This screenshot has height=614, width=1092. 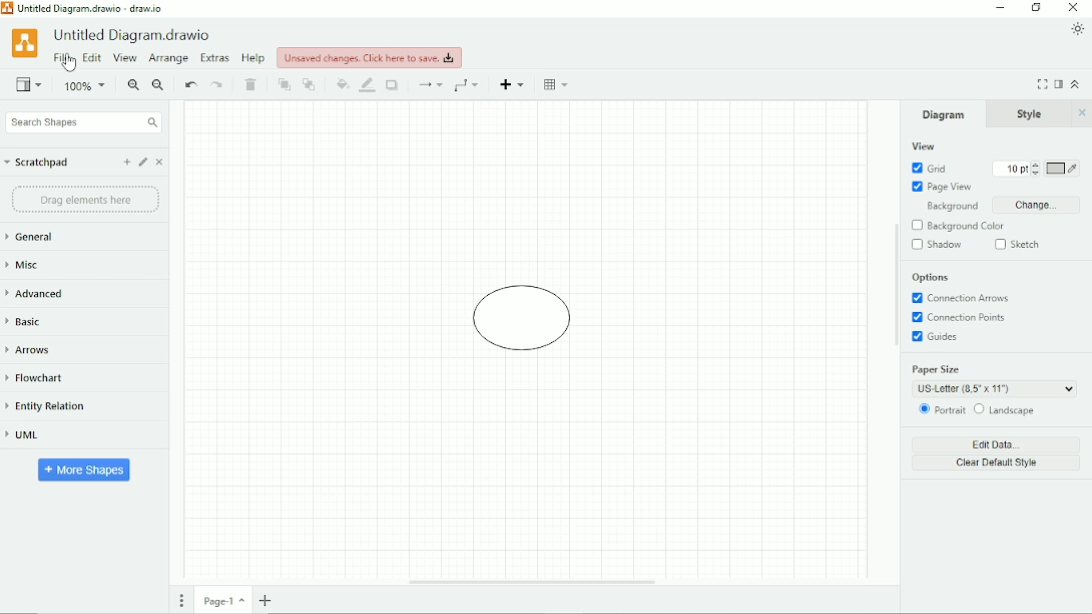 What do you see at coordinates (1063, 168) in the screenshot?
I see `Grid color` at bounding box center [1063, 168].